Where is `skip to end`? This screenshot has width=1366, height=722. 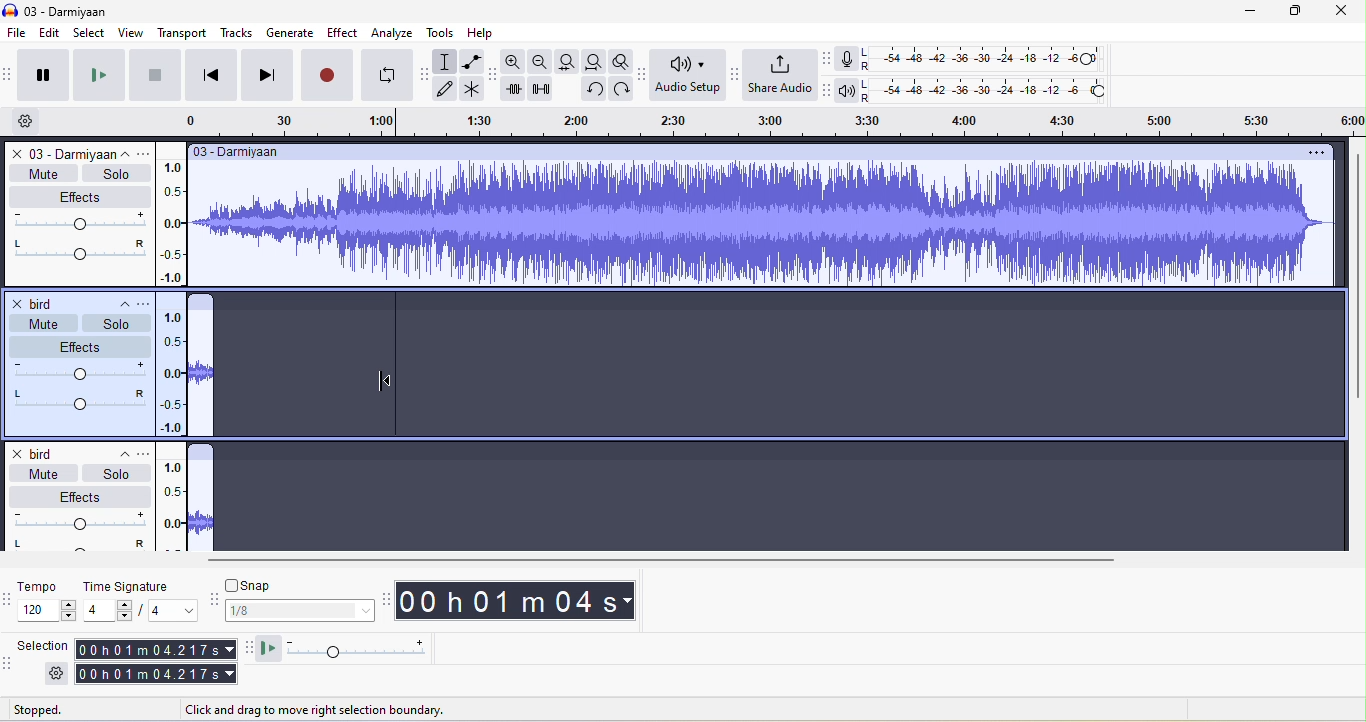
skip to end is located at coordinates (268, 73).